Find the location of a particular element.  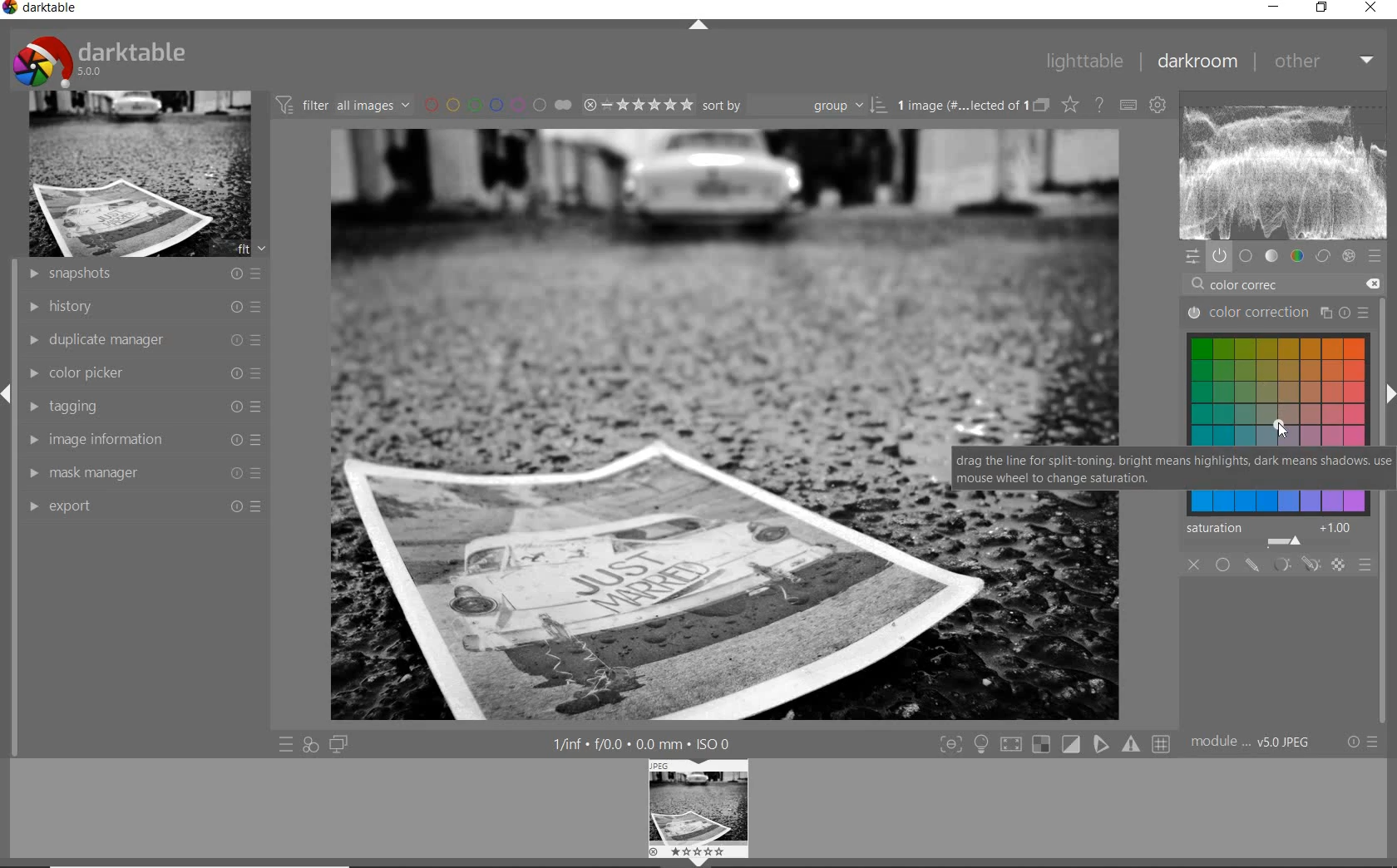

display information is located at coordinates (1172, 470).